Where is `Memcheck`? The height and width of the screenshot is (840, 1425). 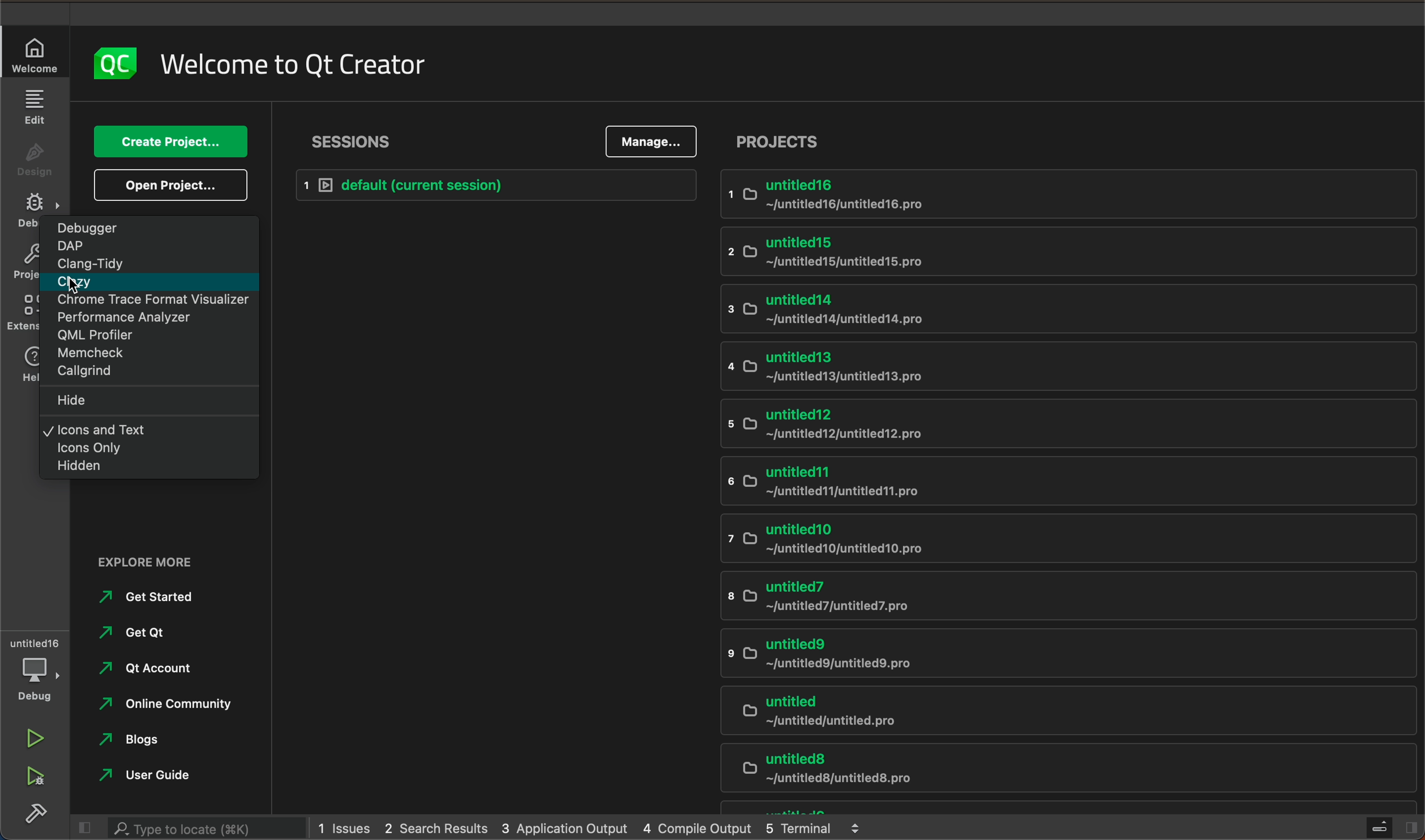 Memcheck is located at coordinates (155, 354).